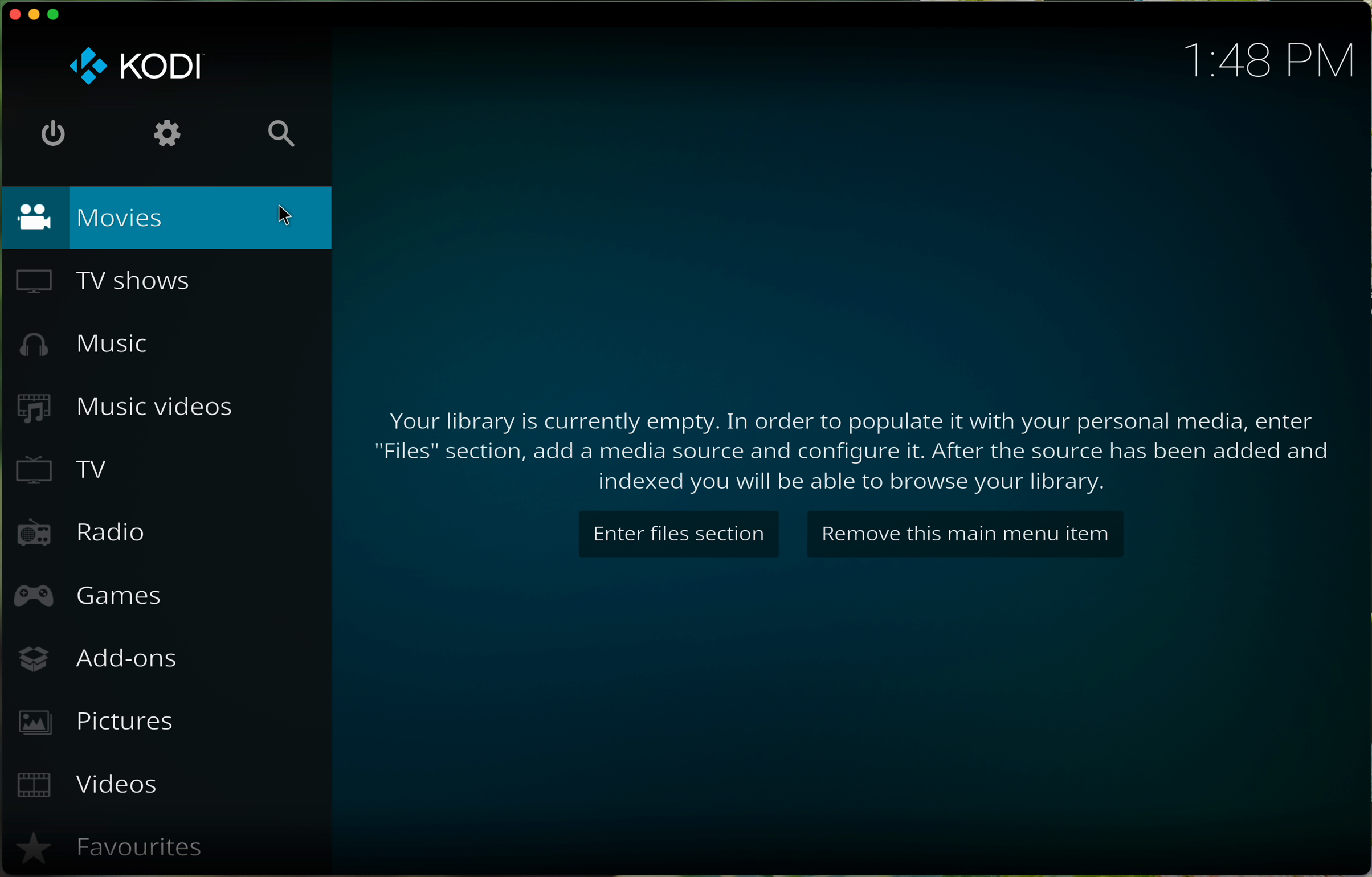 The height and width of the screenshot is (877, 1372). What do you see at coordinates (54, 133) in the screenshot?
I see `off` at bounding box center [54, 133].